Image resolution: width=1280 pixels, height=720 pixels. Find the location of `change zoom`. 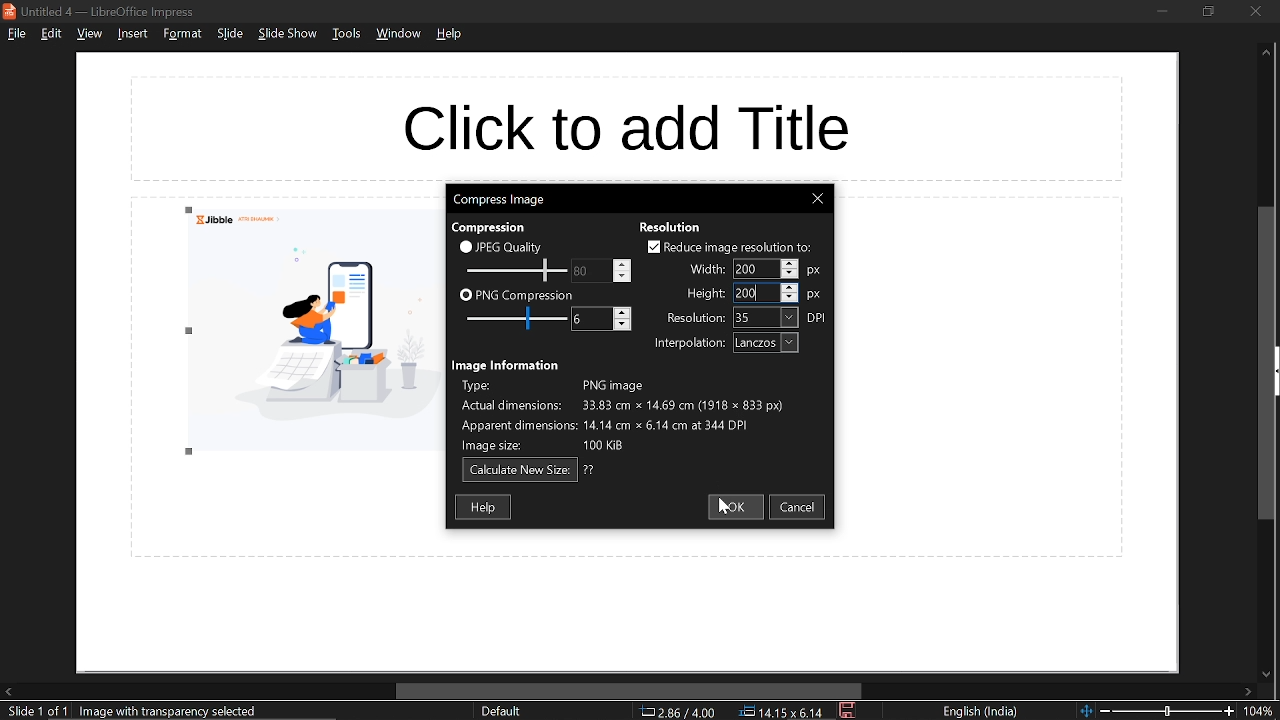

change zoom is located at coordinates (1157, 711).